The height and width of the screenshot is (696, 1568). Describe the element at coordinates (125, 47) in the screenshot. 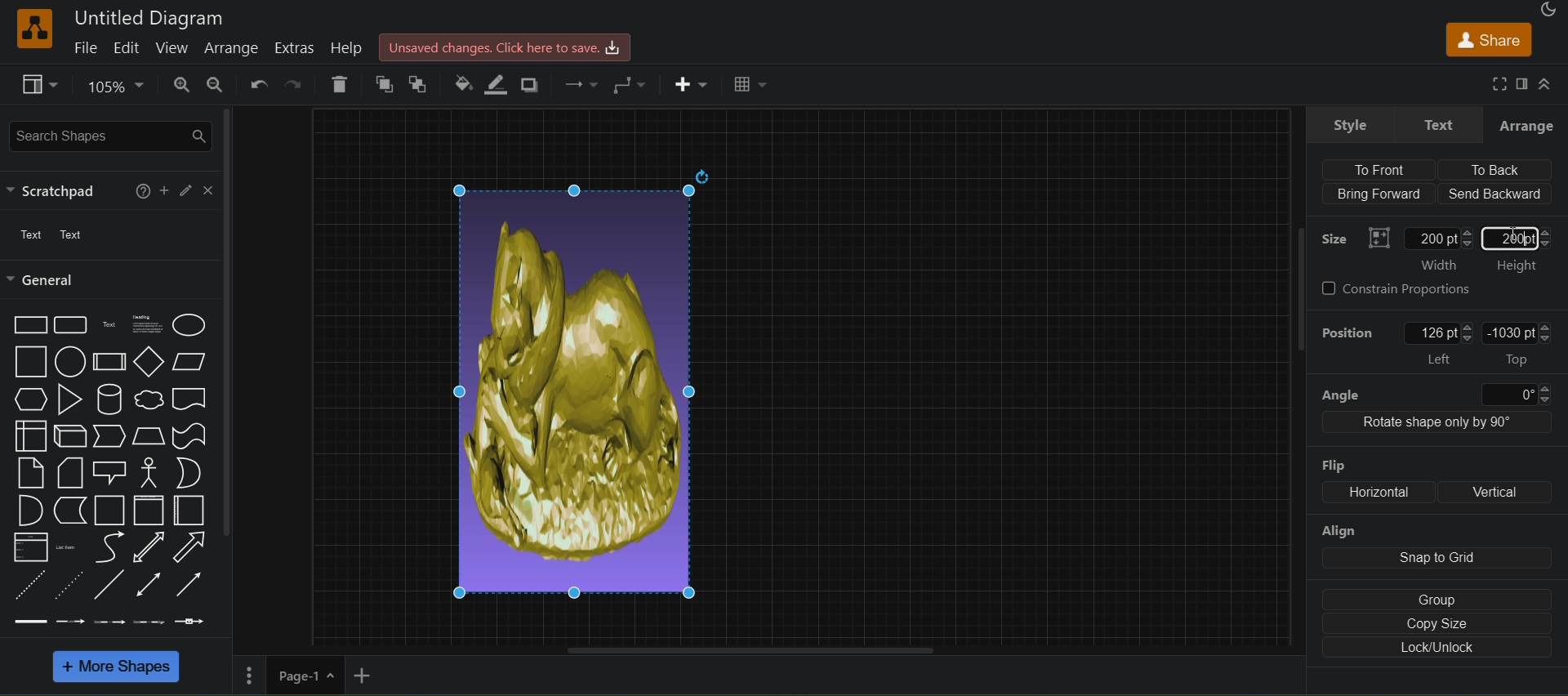

I see `edit` at that location.